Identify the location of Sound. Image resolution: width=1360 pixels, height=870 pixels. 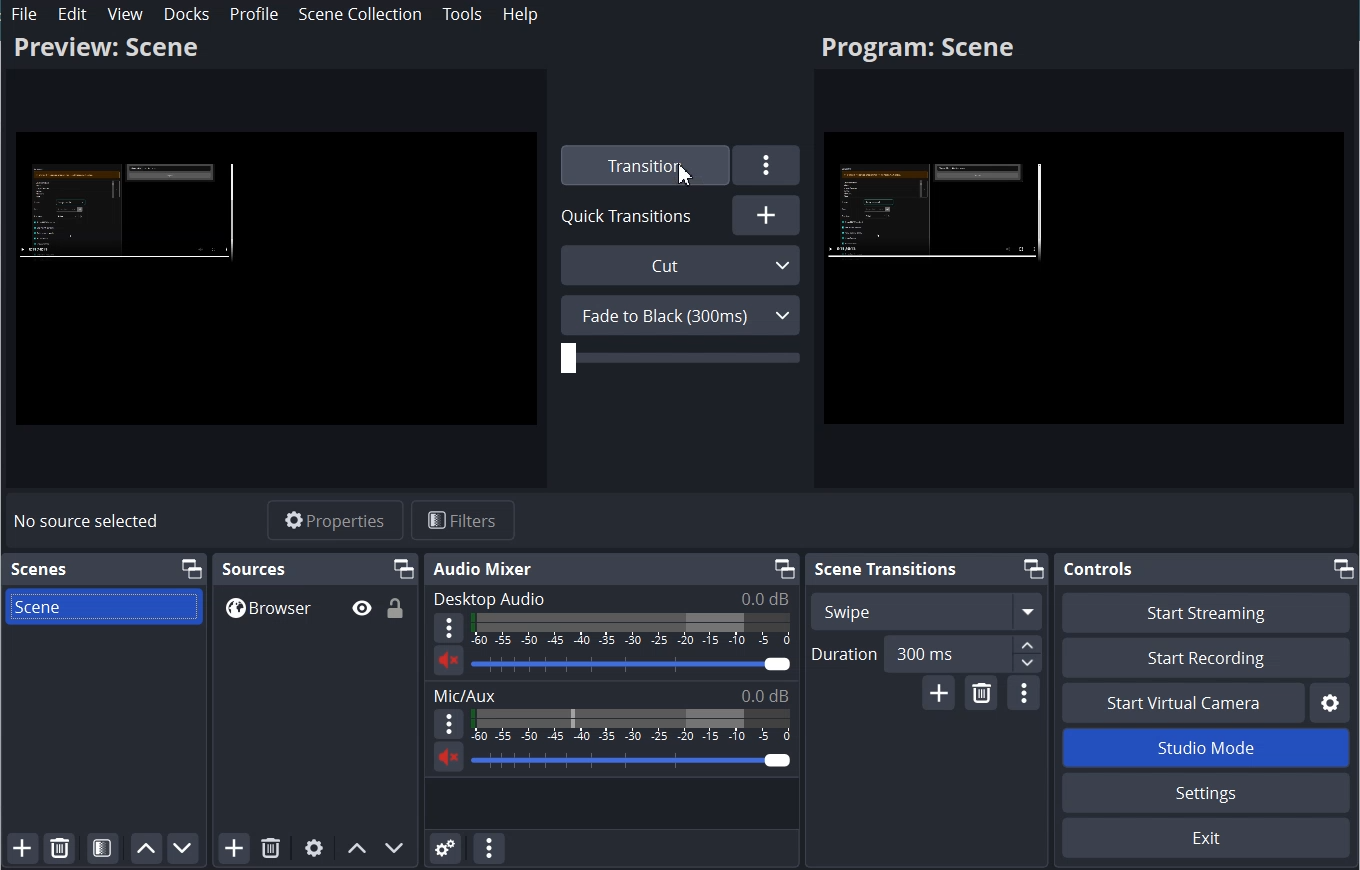
(448, 756).